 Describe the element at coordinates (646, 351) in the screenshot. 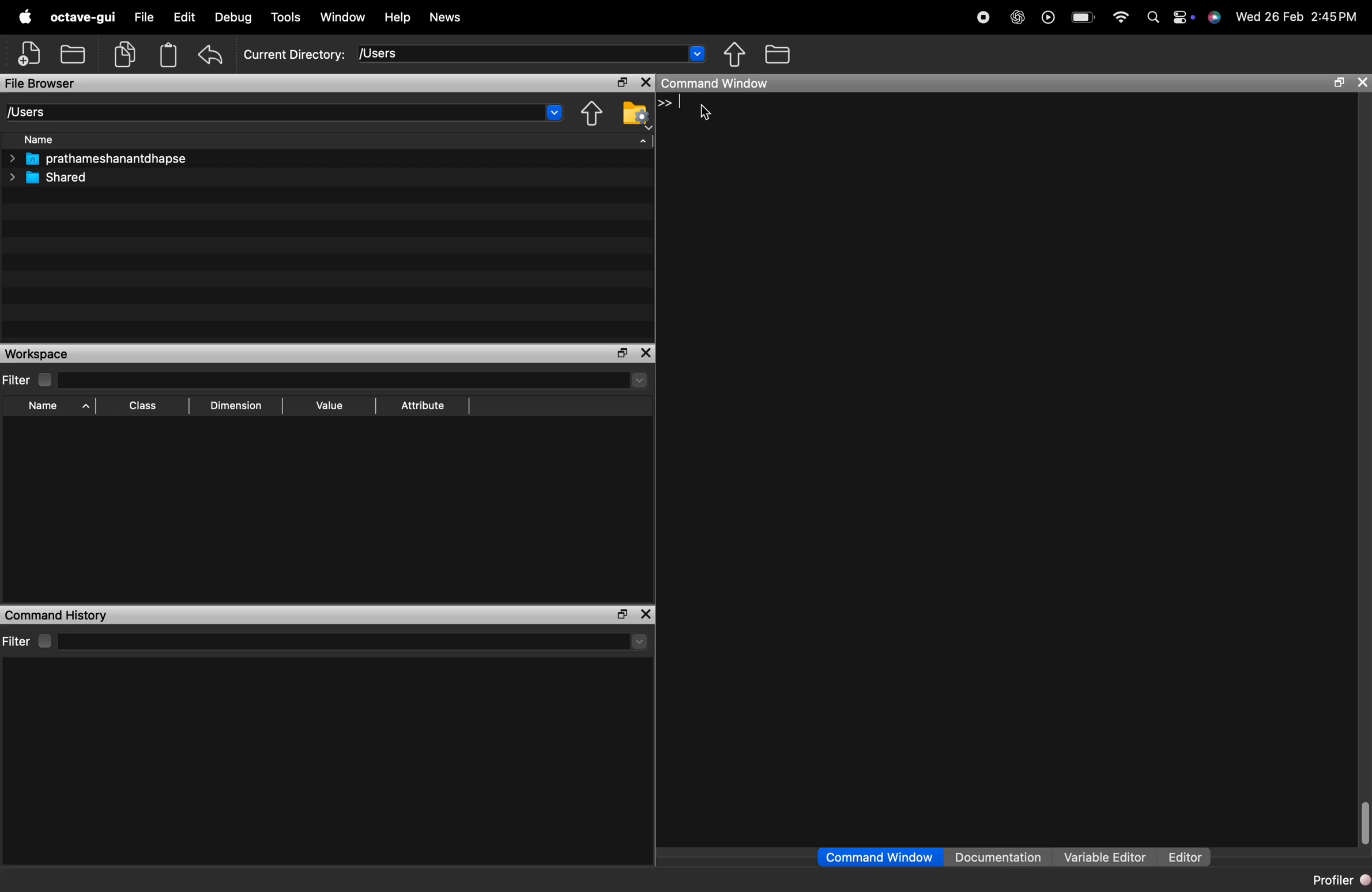

I see `close` at that location.